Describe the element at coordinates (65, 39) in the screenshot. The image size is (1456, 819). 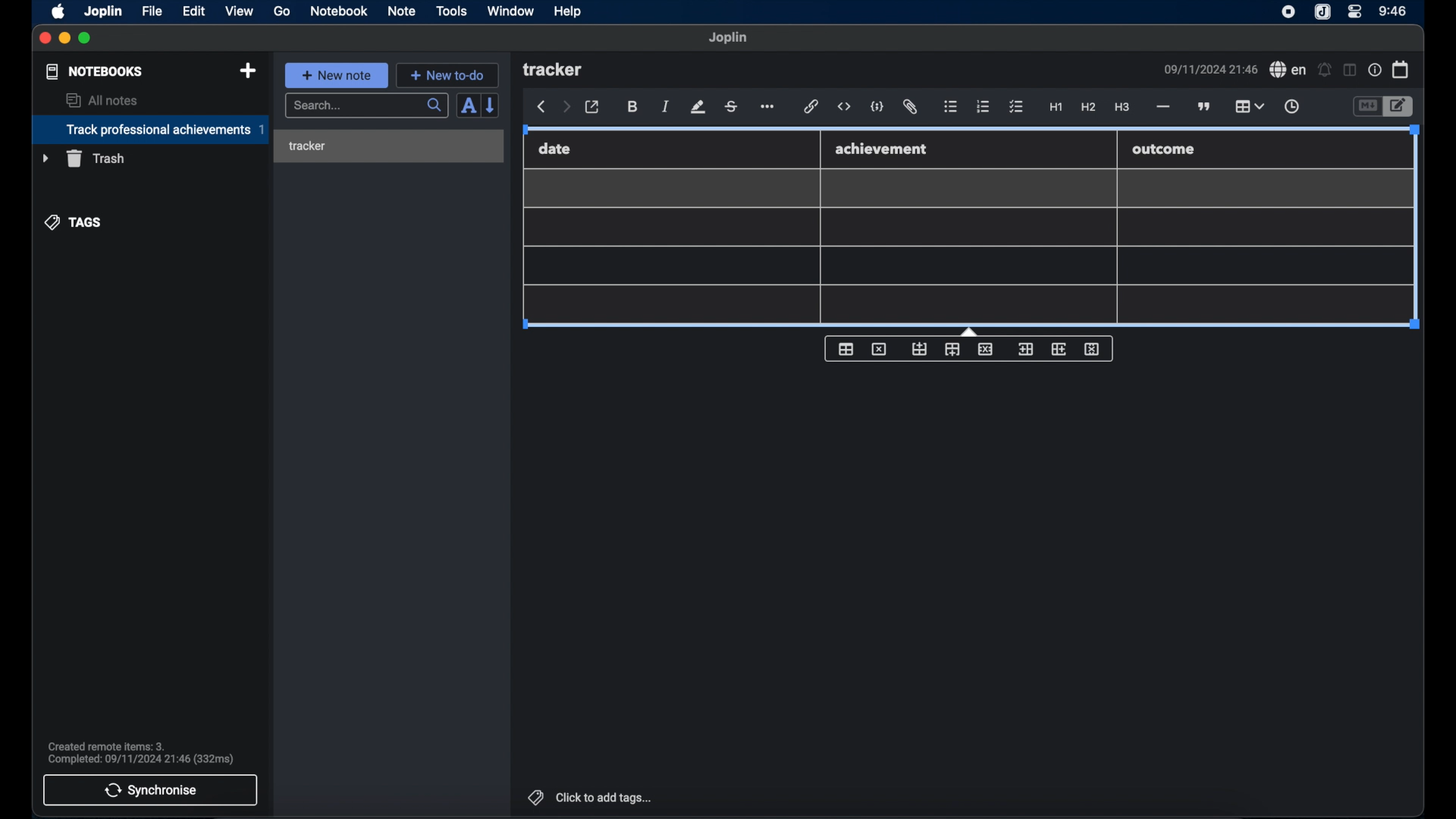
I see `minimize` at that location.